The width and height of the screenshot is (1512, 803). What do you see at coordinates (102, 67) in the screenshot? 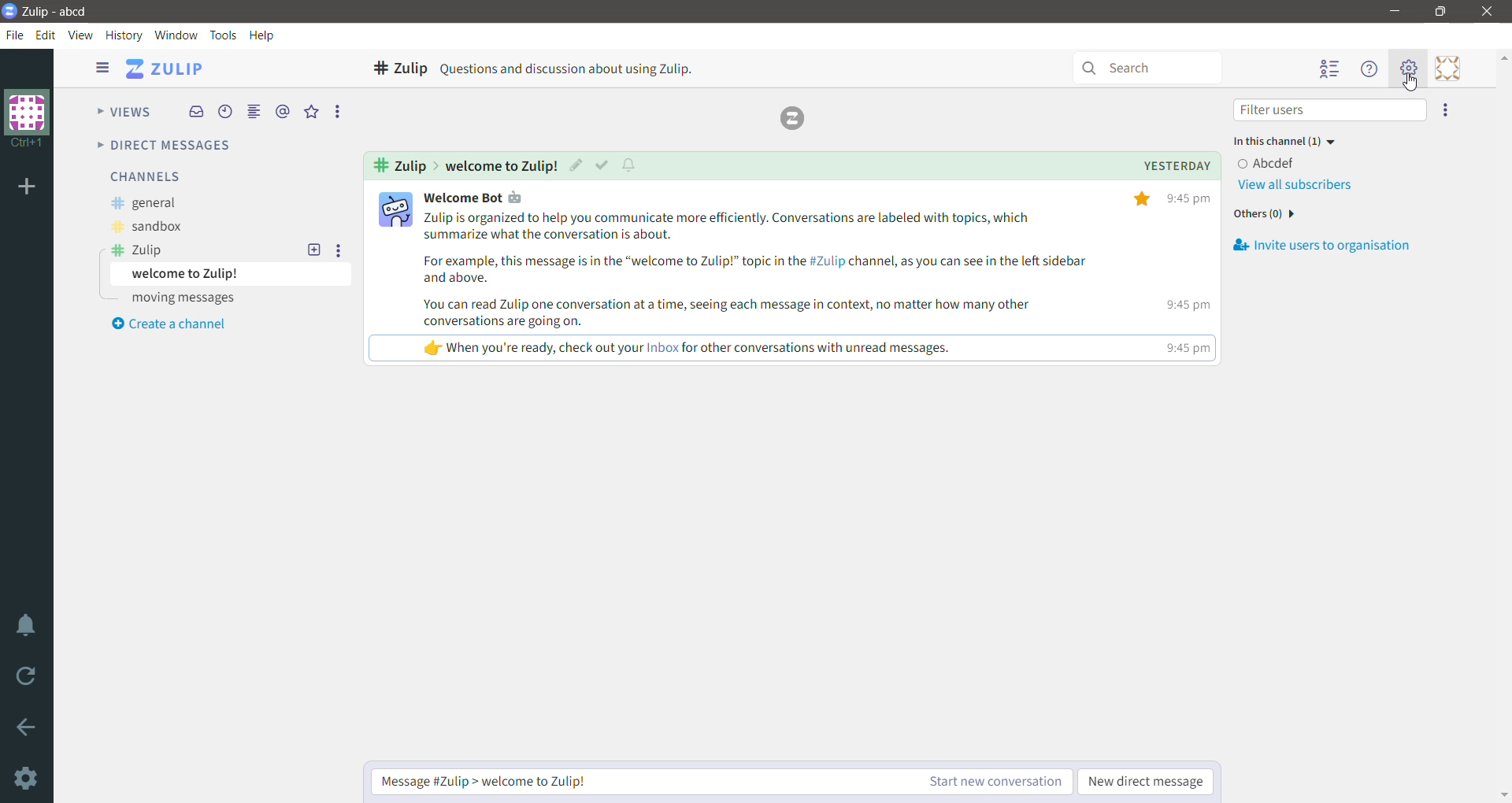
I see `Show/Hide left sidebar` at bounding box center [102, 67].